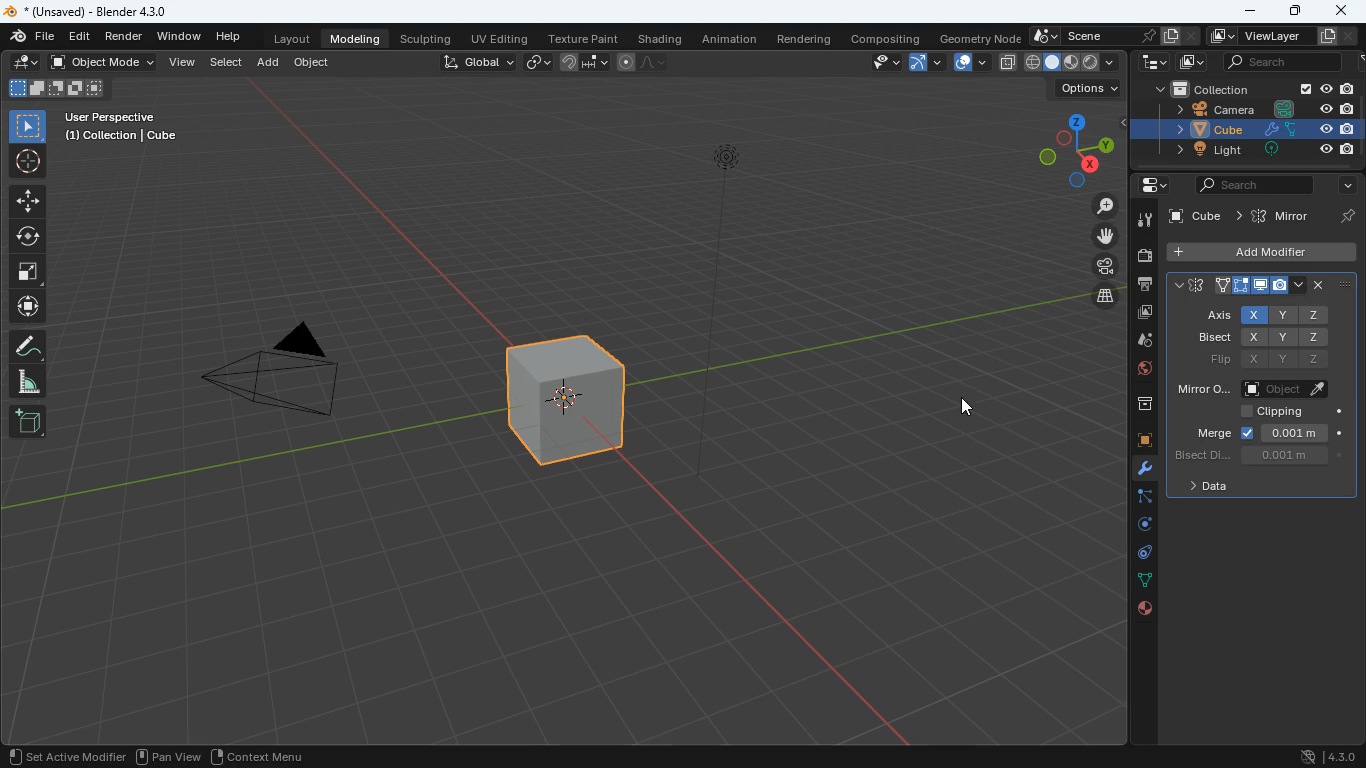 This screenshot has height=768, width=1366. Describe the element at coordinates (1276, 151) in the screenshot. I see `` at that location.